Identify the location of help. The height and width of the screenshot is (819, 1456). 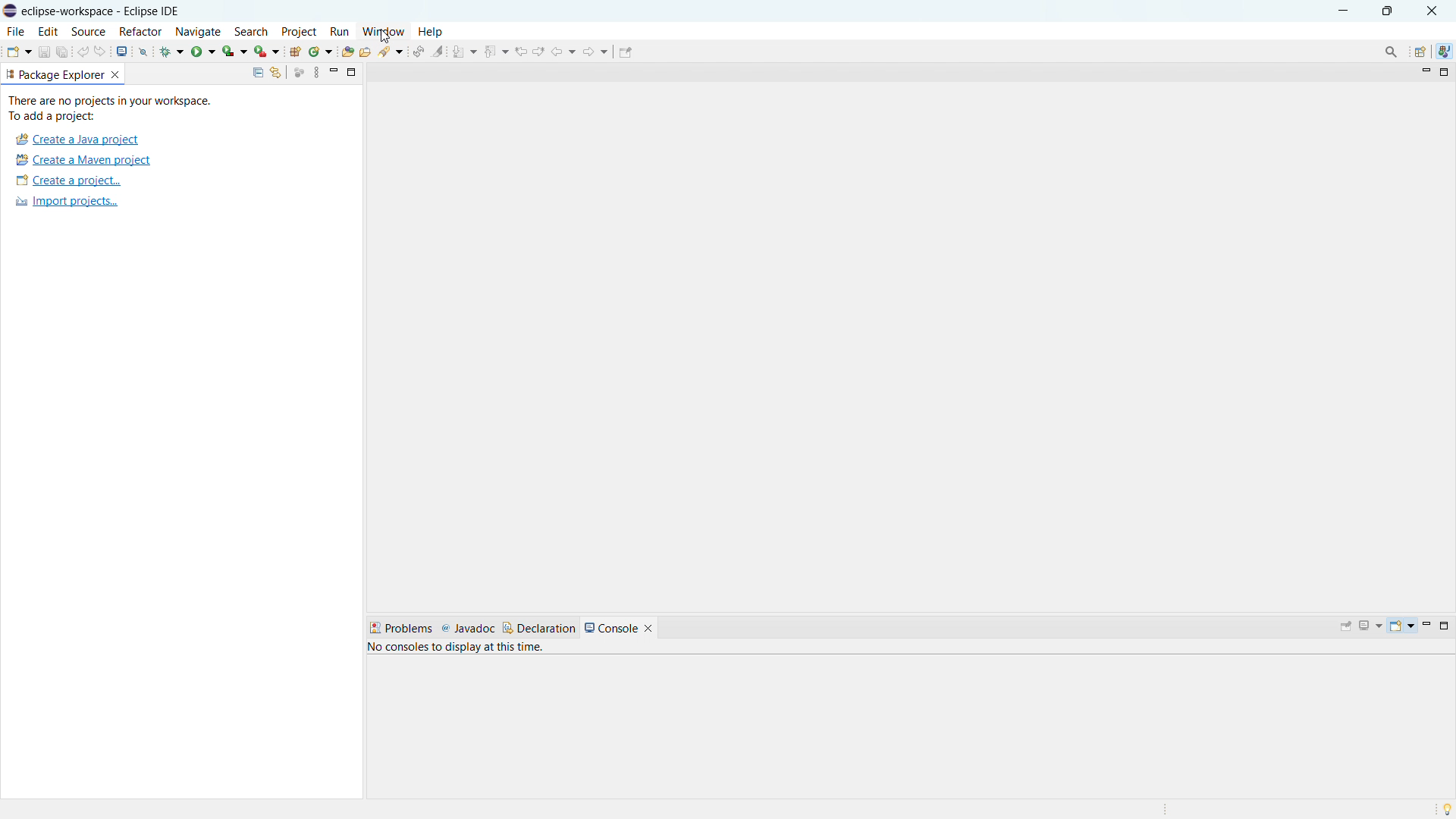
(430, 32).